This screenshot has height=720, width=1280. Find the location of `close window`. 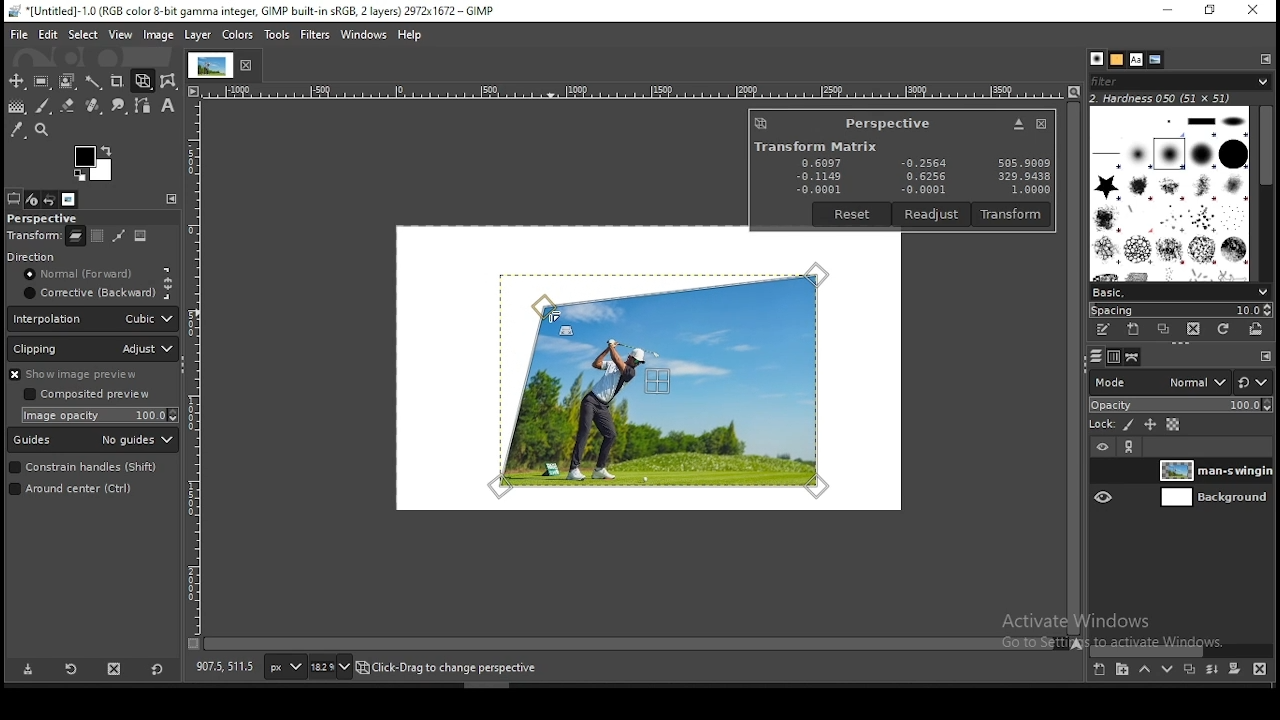

close window is located at coordinates (1040, 124).